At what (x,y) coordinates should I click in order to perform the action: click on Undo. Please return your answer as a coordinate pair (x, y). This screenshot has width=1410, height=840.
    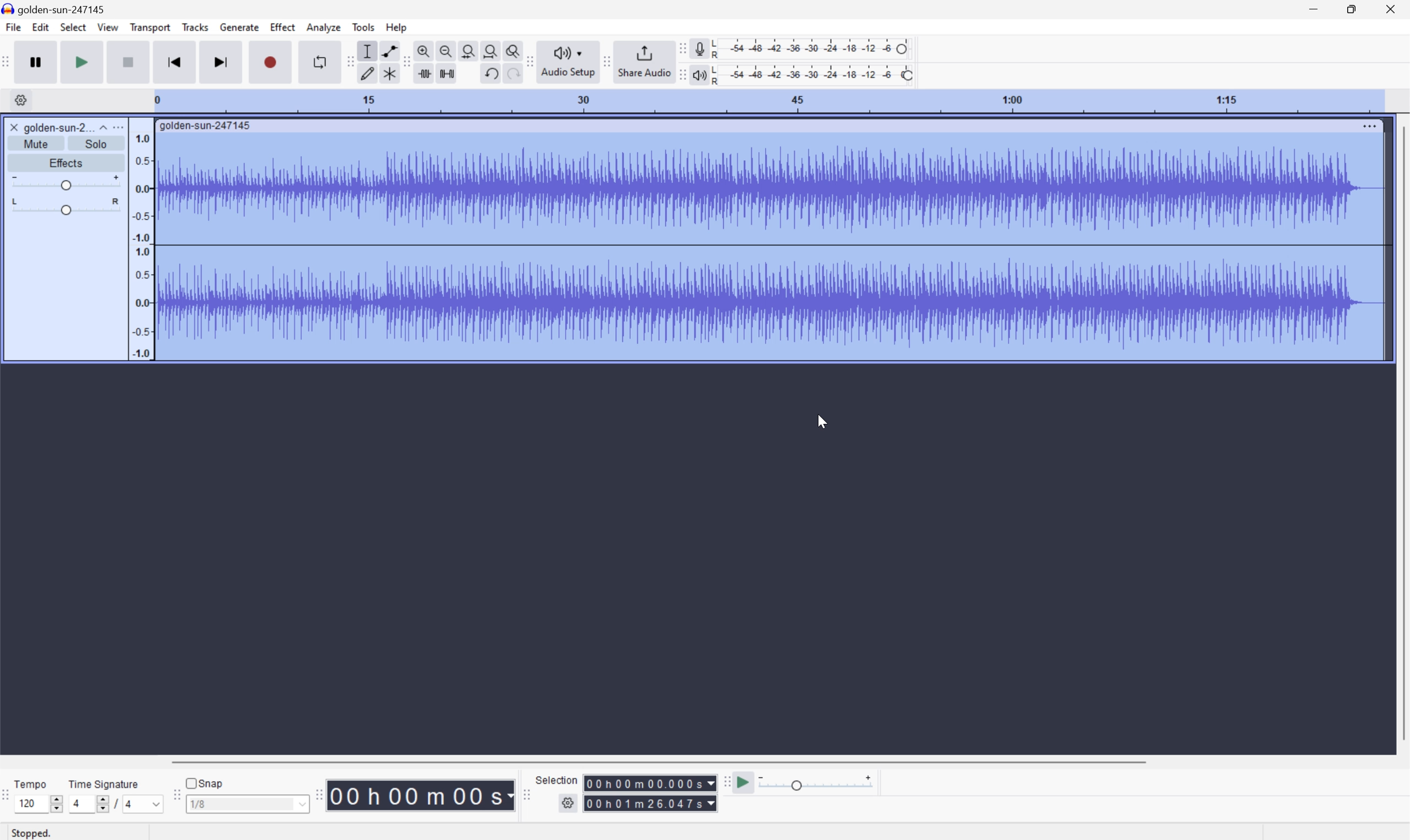
    Looking at the image, I should click on (492, 73).